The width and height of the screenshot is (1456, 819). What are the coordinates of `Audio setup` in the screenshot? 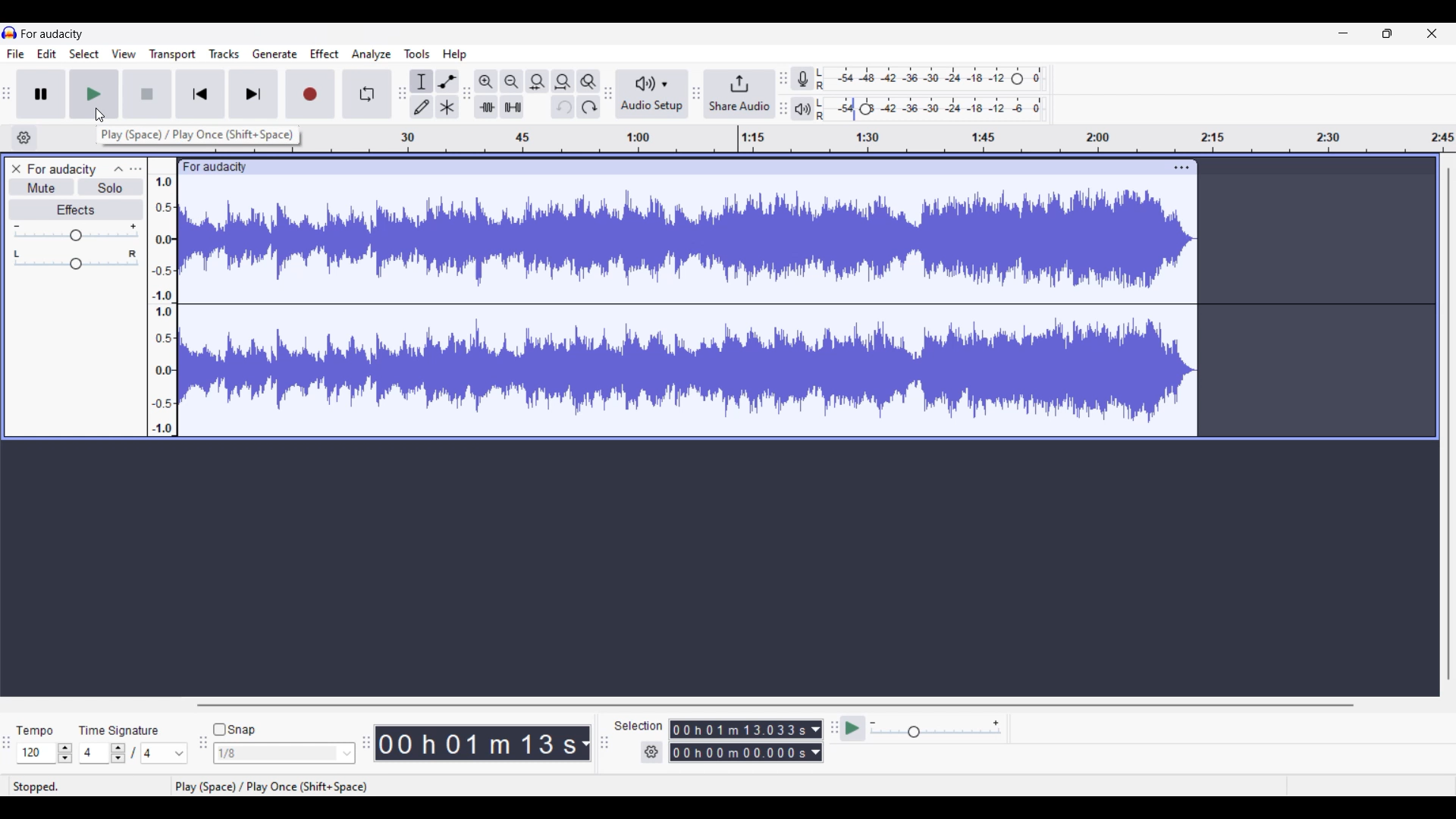 It's located at (652, 93).